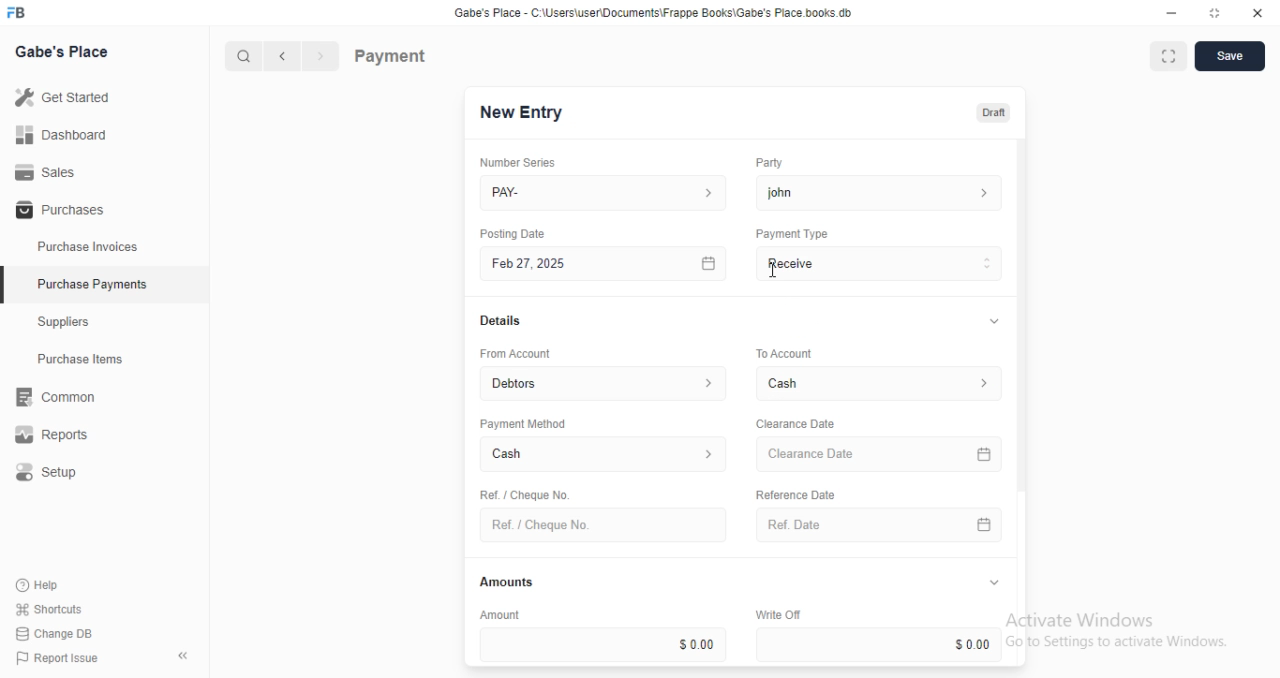  What do you see at coordinates (70, 324) in the screenshot?
I see `Suppliers` at bounding box center [70, 324].